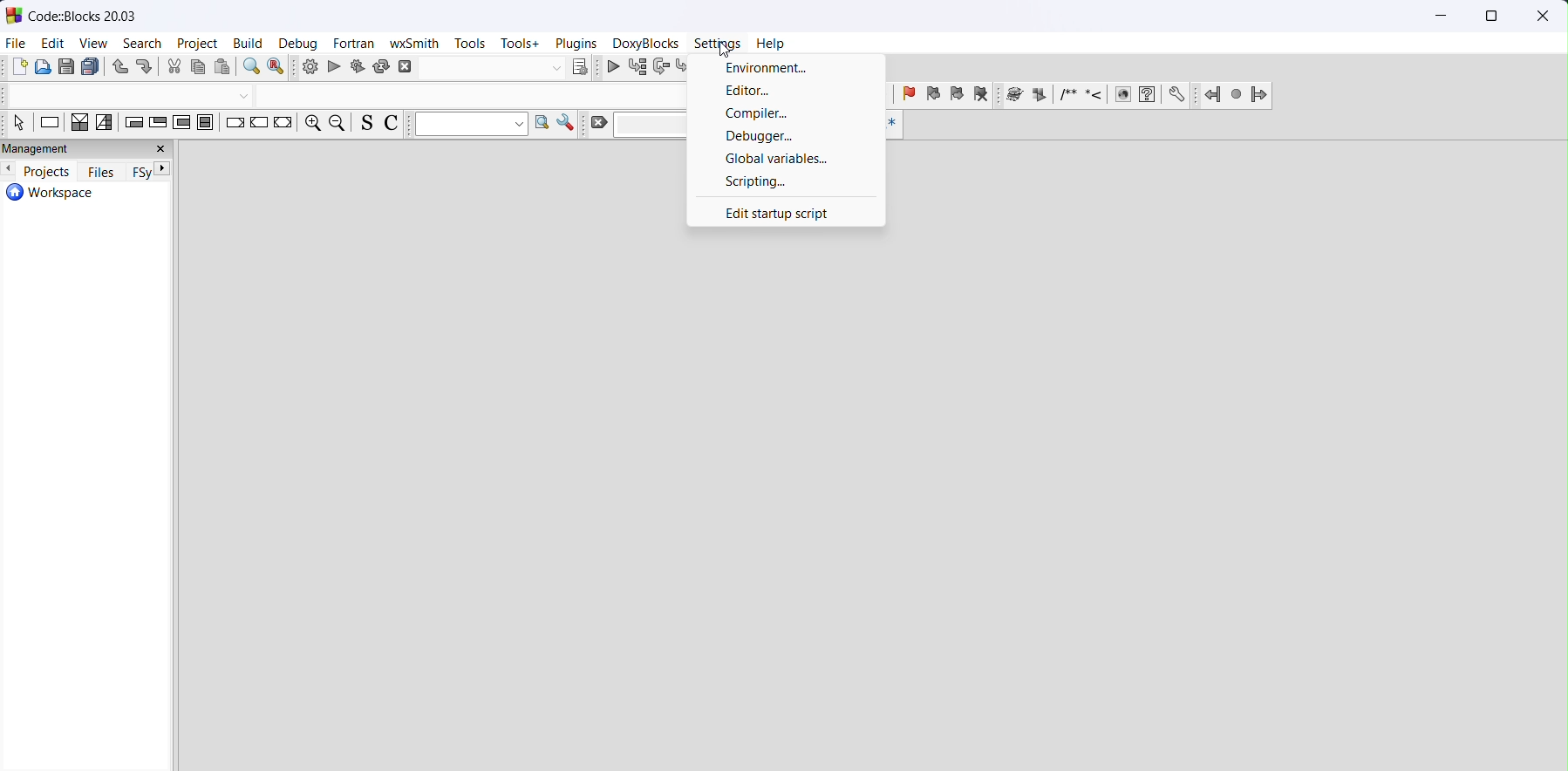  Describe the element at coordinates (339, 123) in the screenshot. I see `zoom out` at that location.